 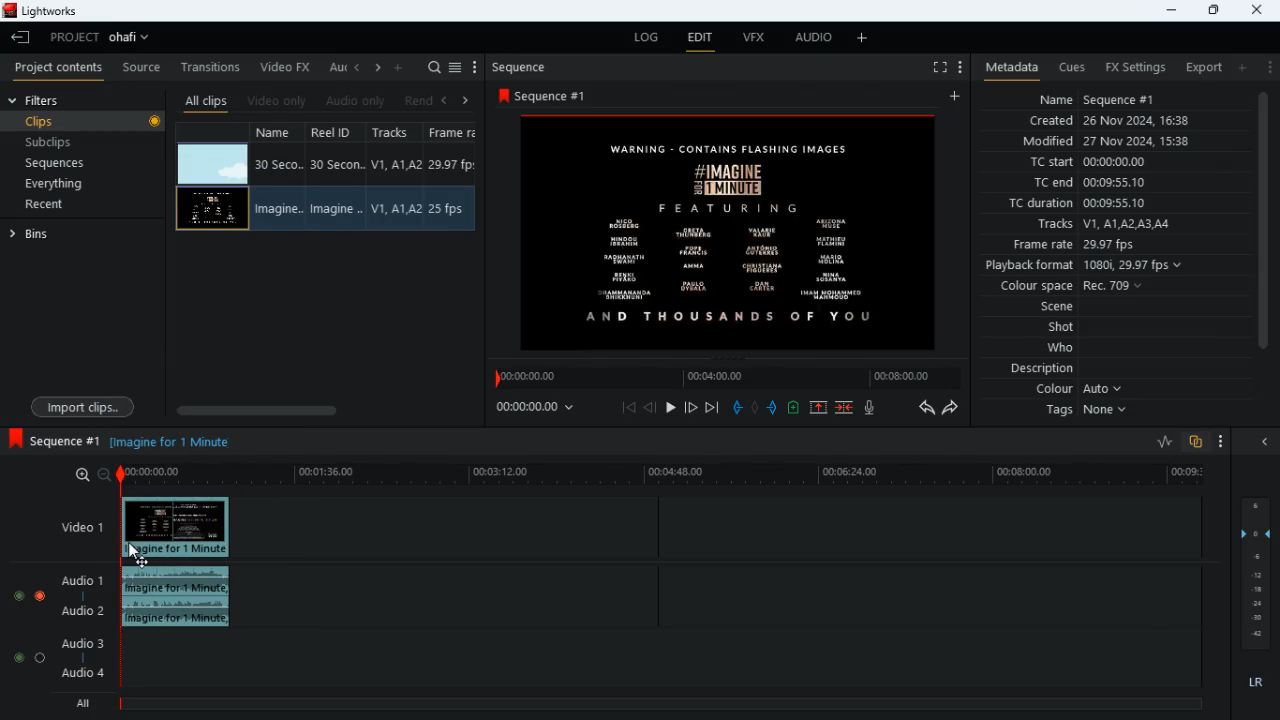 What do you see at coordinates (956, 411) in the screenshot?
I see `forward` at bounding box center [956, 411].